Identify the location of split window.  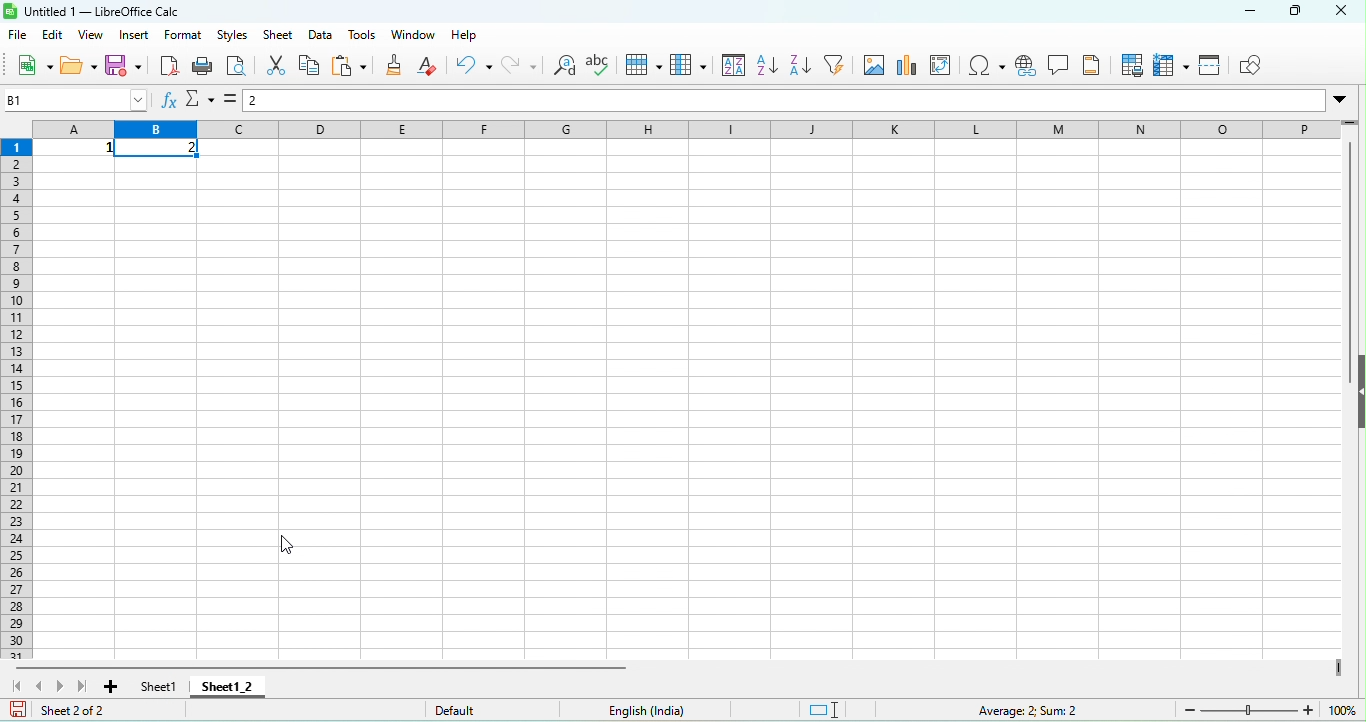
(1212, 67).